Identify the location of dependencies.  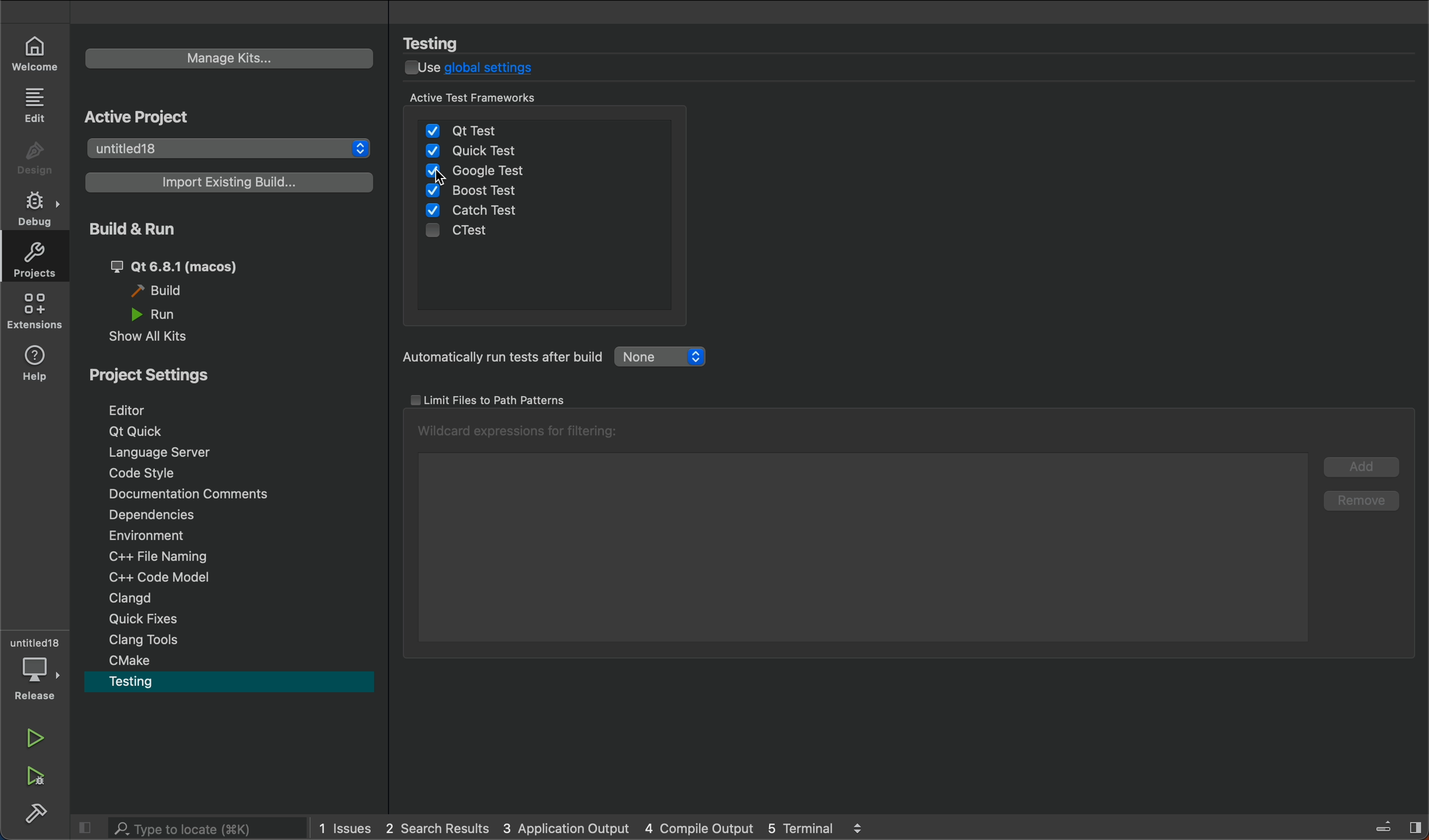
(232, 517).